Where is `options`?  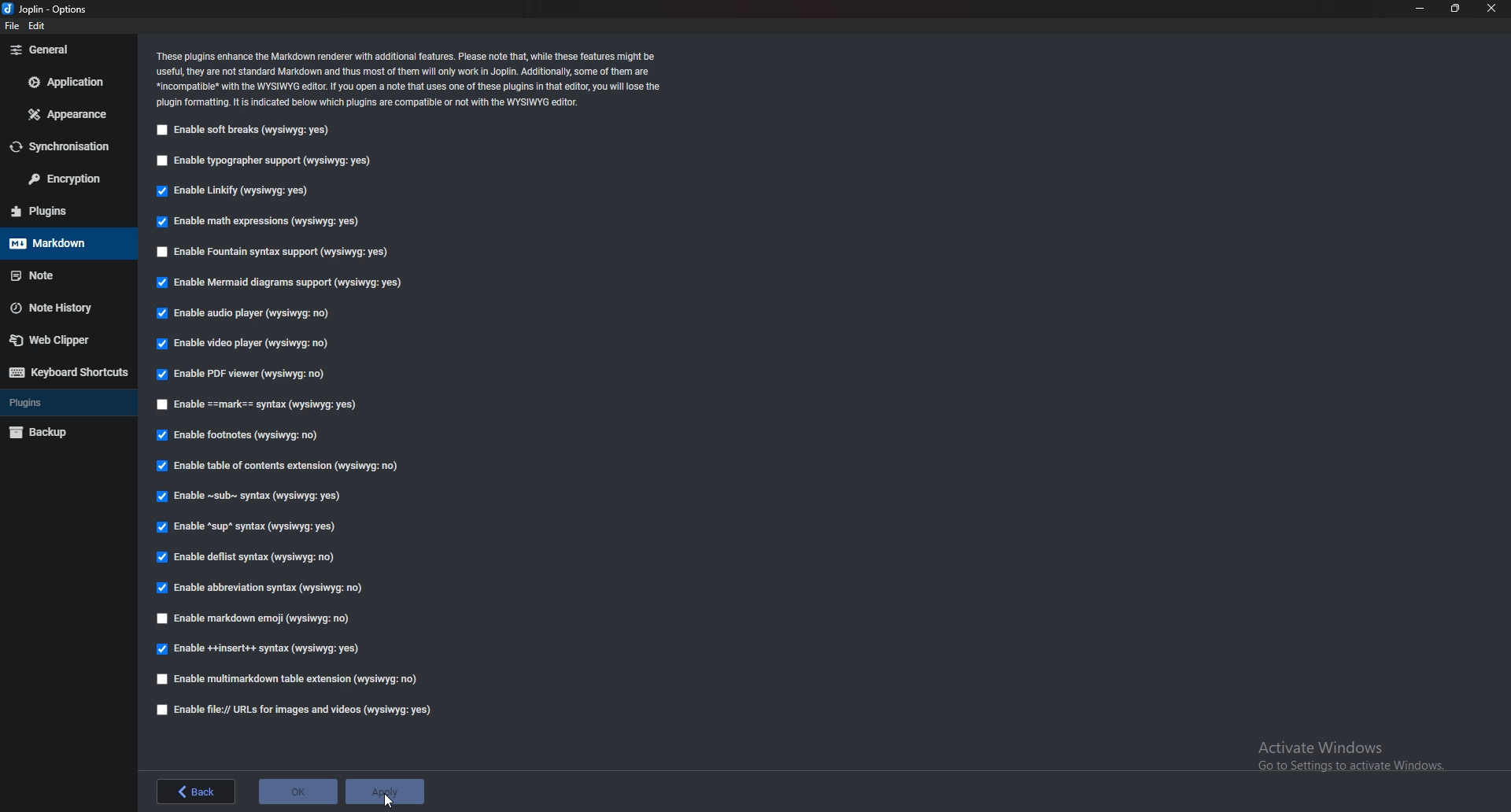 options is located at coordinates (45, 10).